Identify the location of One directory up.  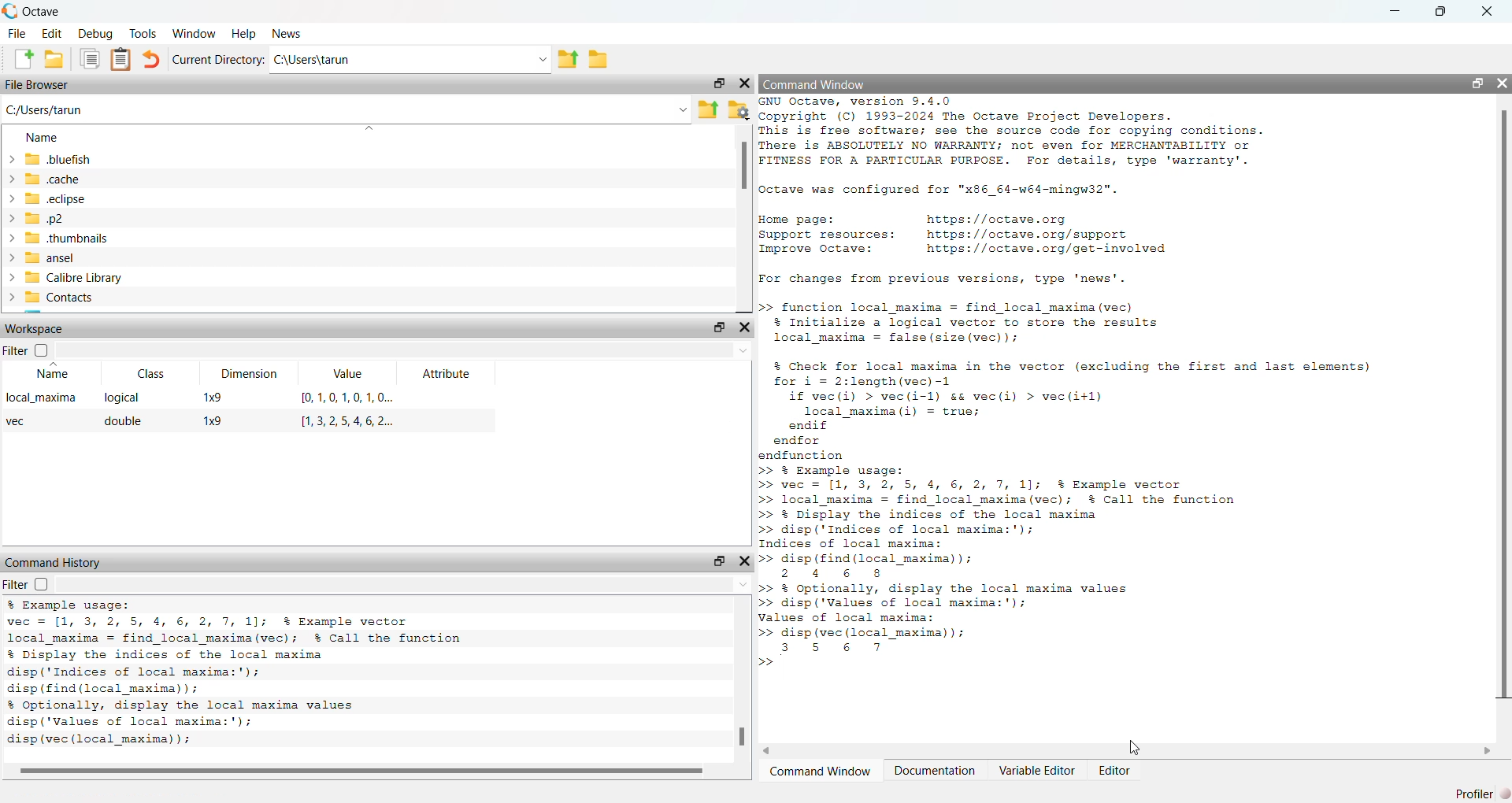
(568, 57).